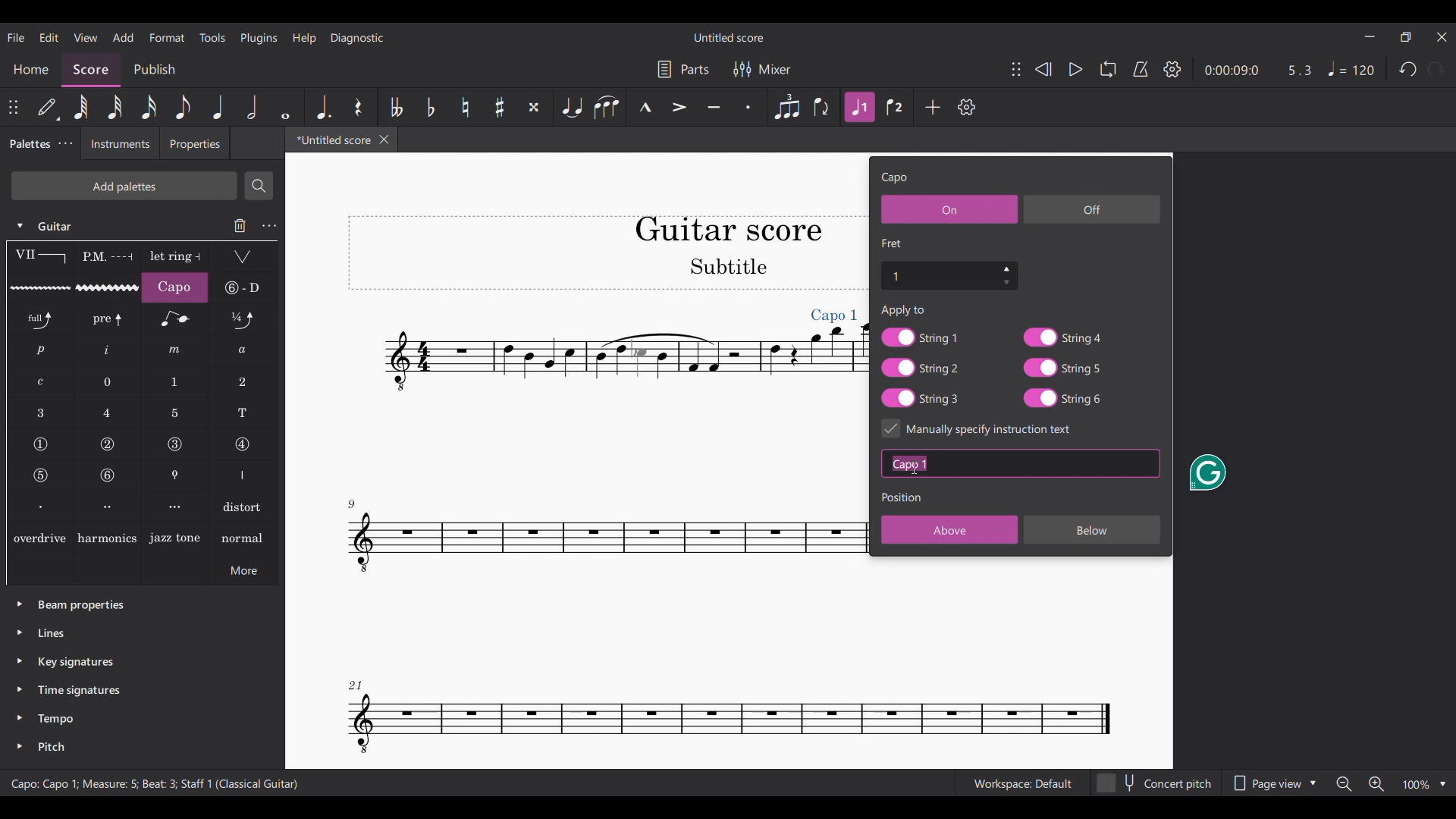 Image resolution: width=1456 pixels, height=819 pixels. Describe the element at coordinates (259, 186) in the screenshot. I see `Search` at that location.